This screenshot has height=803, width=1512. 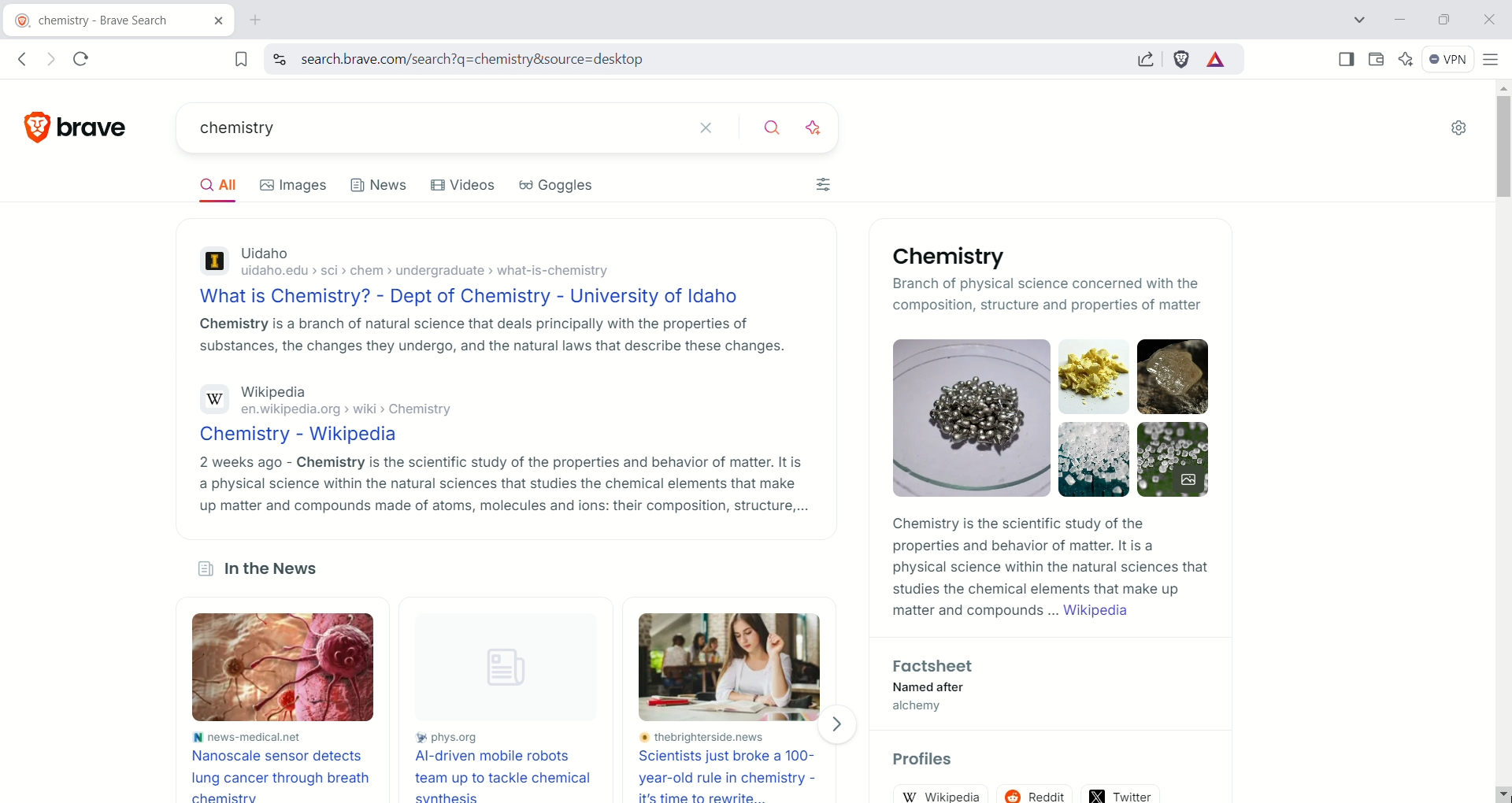 I want to click on bookmark this tab, so click(x=242, y=58).